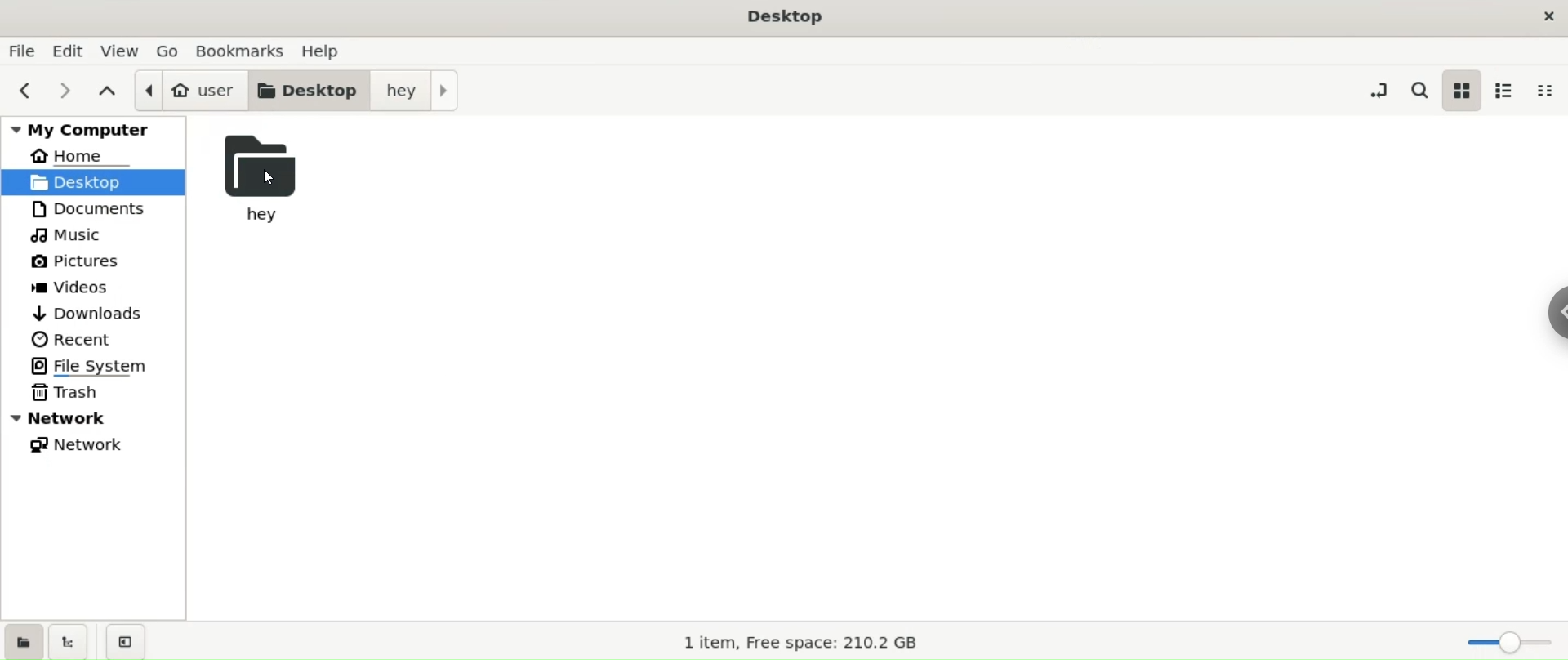 The width and height of the screenshot is (1568, 660). I want to click on hey, so click(263, 180).